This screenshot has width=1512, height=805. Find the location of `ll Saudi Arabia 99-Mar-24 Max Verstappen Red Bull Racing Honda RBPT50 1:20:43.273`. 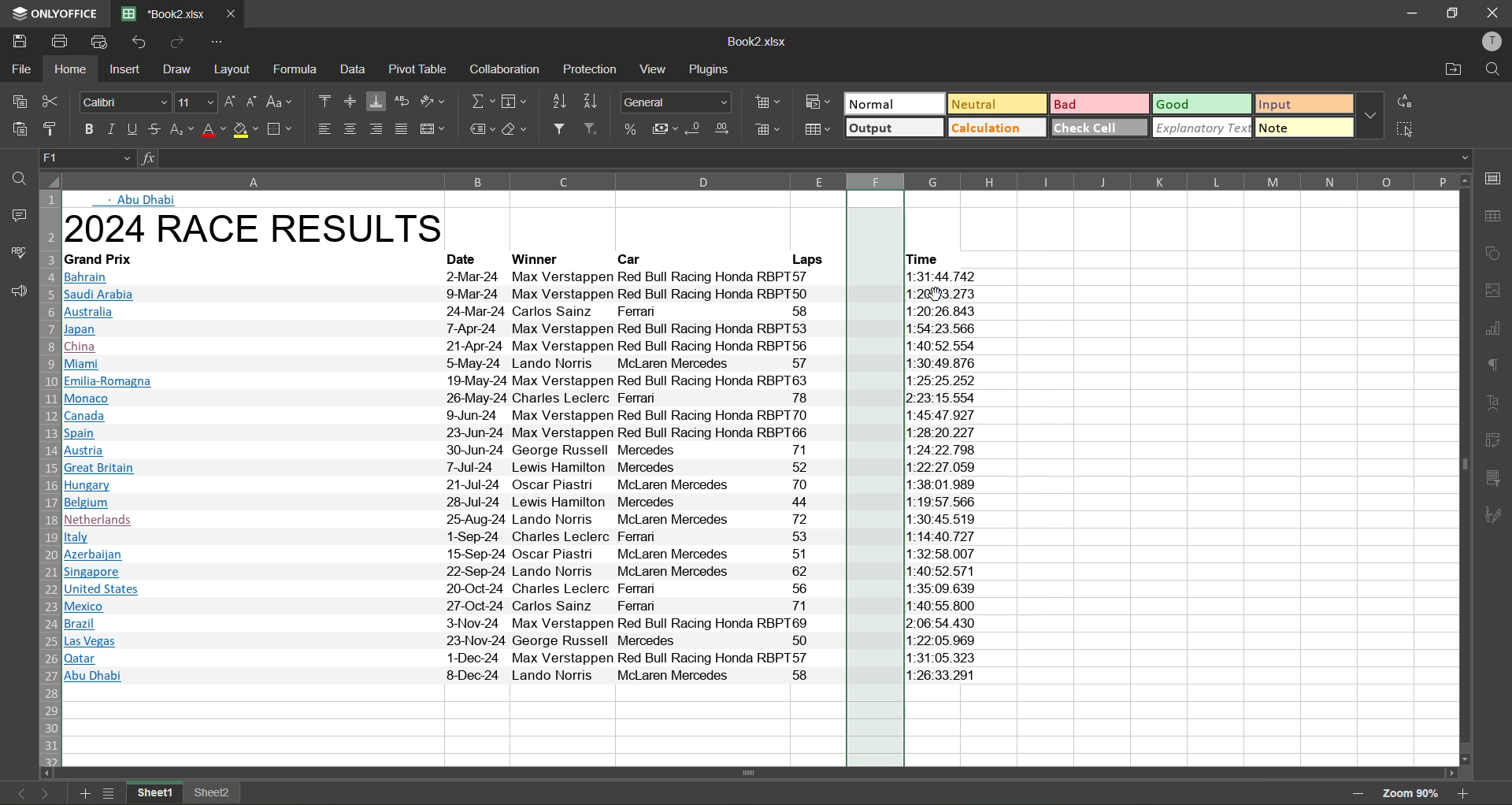

ll Saudi Arabia 99-Mar-24 Max Verstappen Red Bull Racing Honda RBPT50 1:20:43.273 is located at coordinates (447, 294).